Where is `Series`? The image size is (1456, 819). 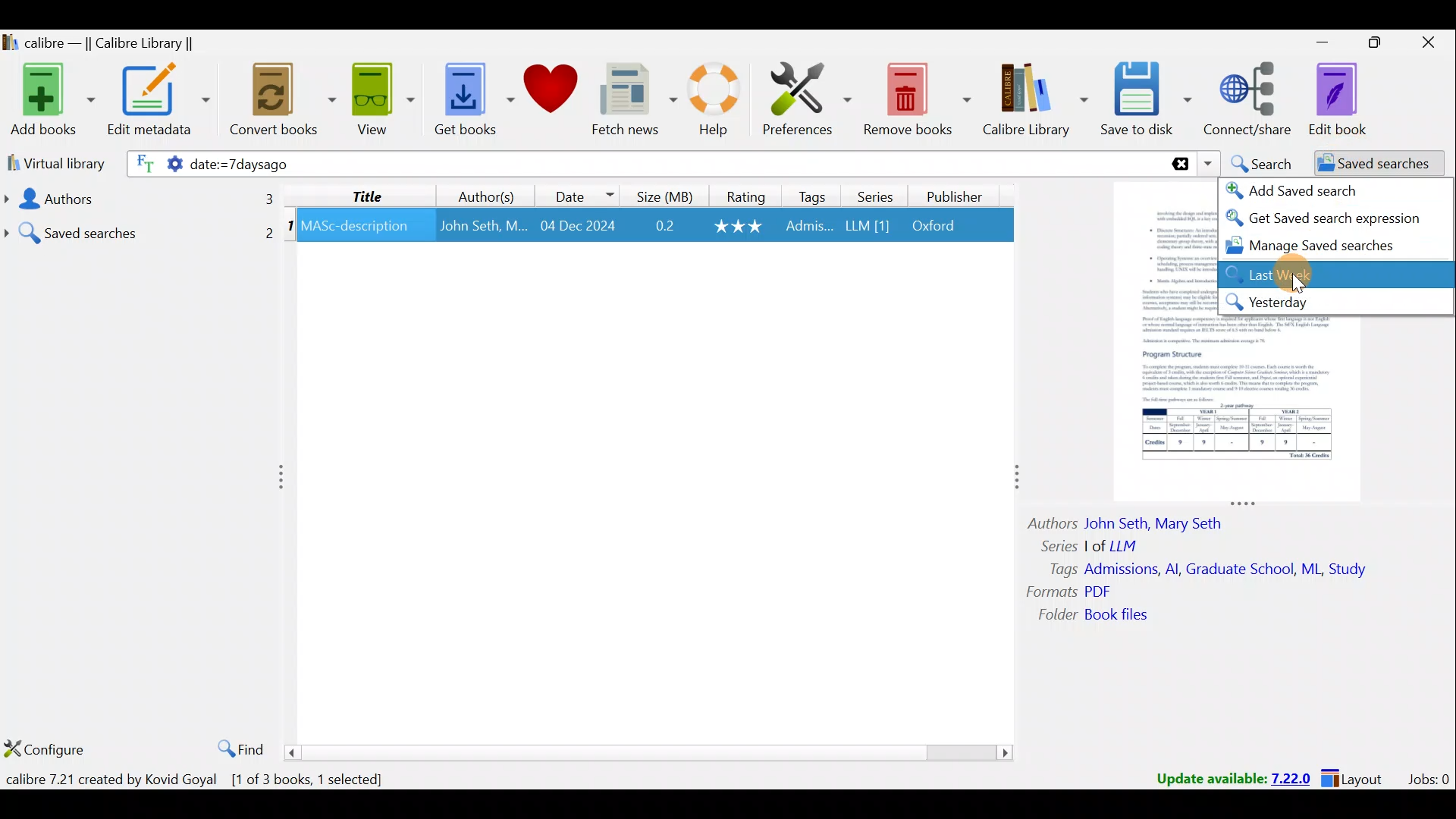 Series is located at coordinates (873, 195).